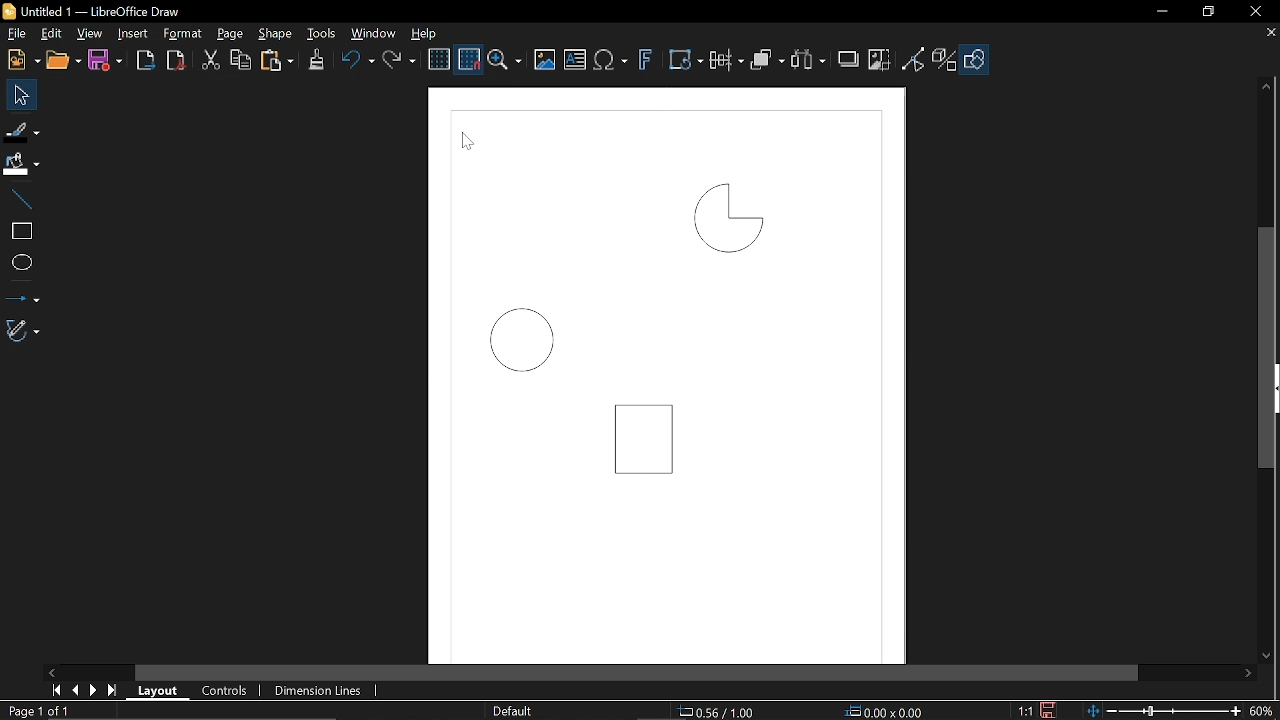  What do you see at coordinates (243, 60) in the screenshot?
I see `Copy` at bounding box center [243, 60].